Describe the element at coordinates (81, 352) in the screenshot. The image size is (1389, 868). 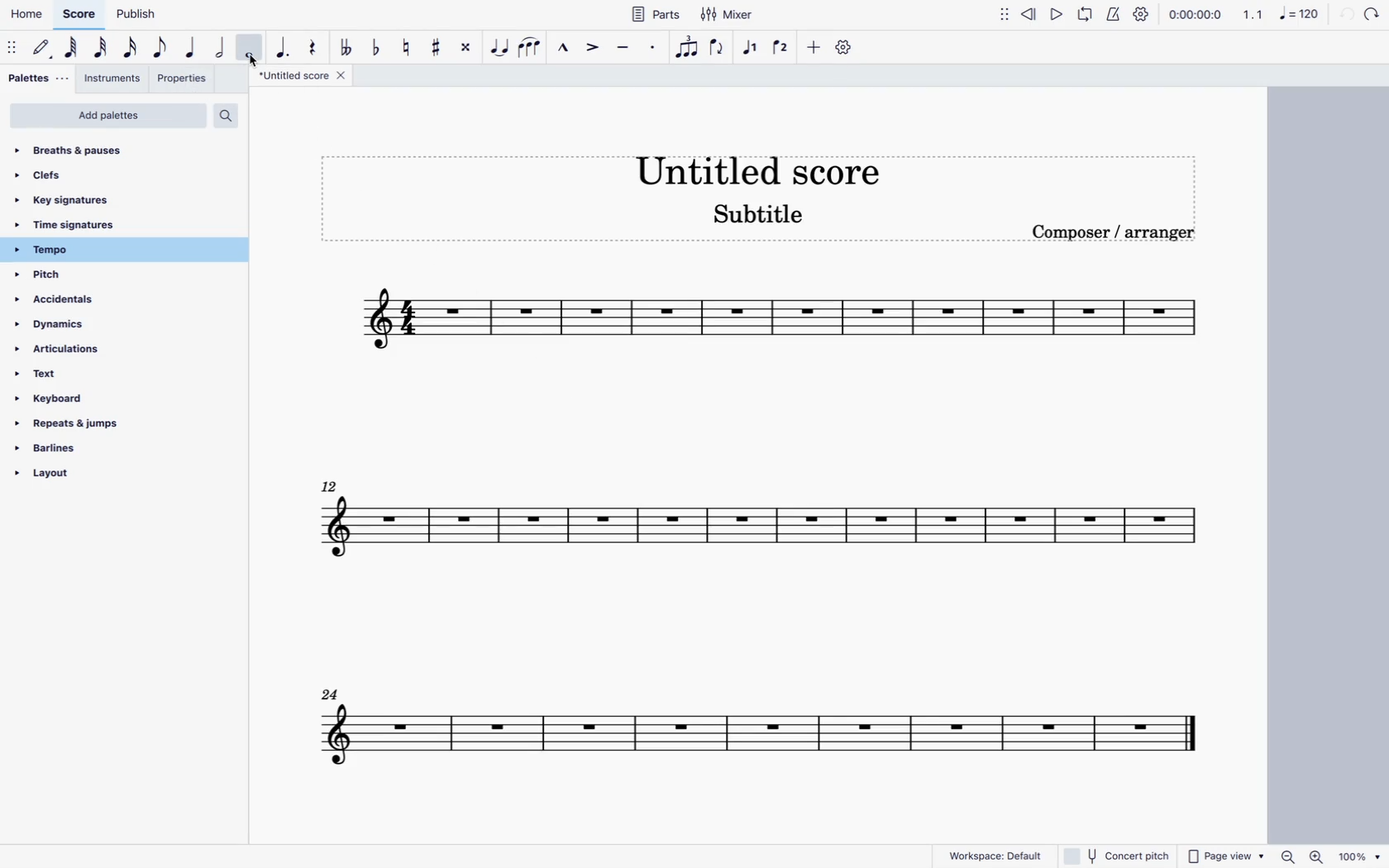
I see `articulations` at that location.